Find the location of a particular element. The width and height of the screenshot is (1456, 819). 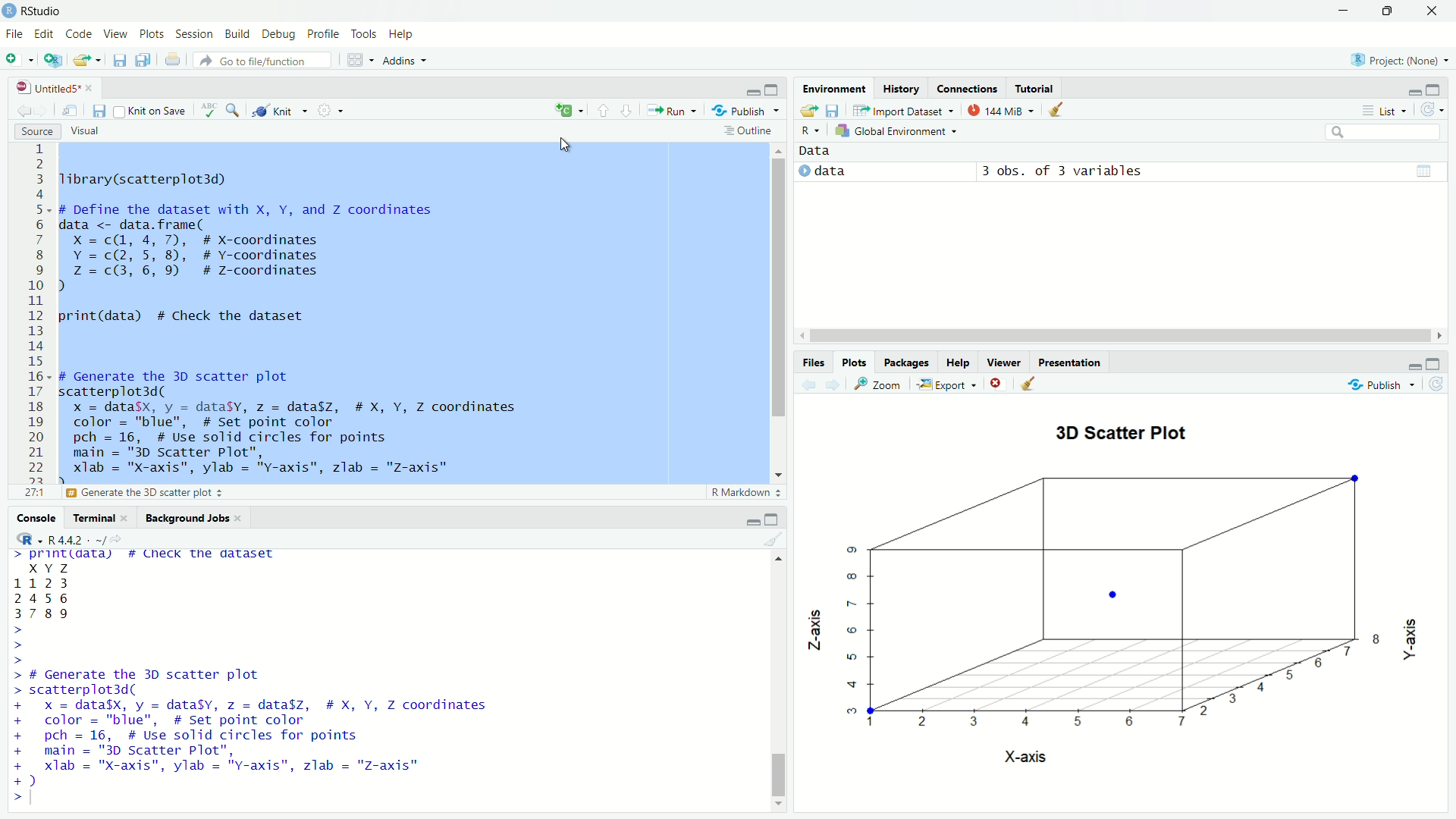

refresh the list of objects in the environment is located at coordinates (1437, 109).